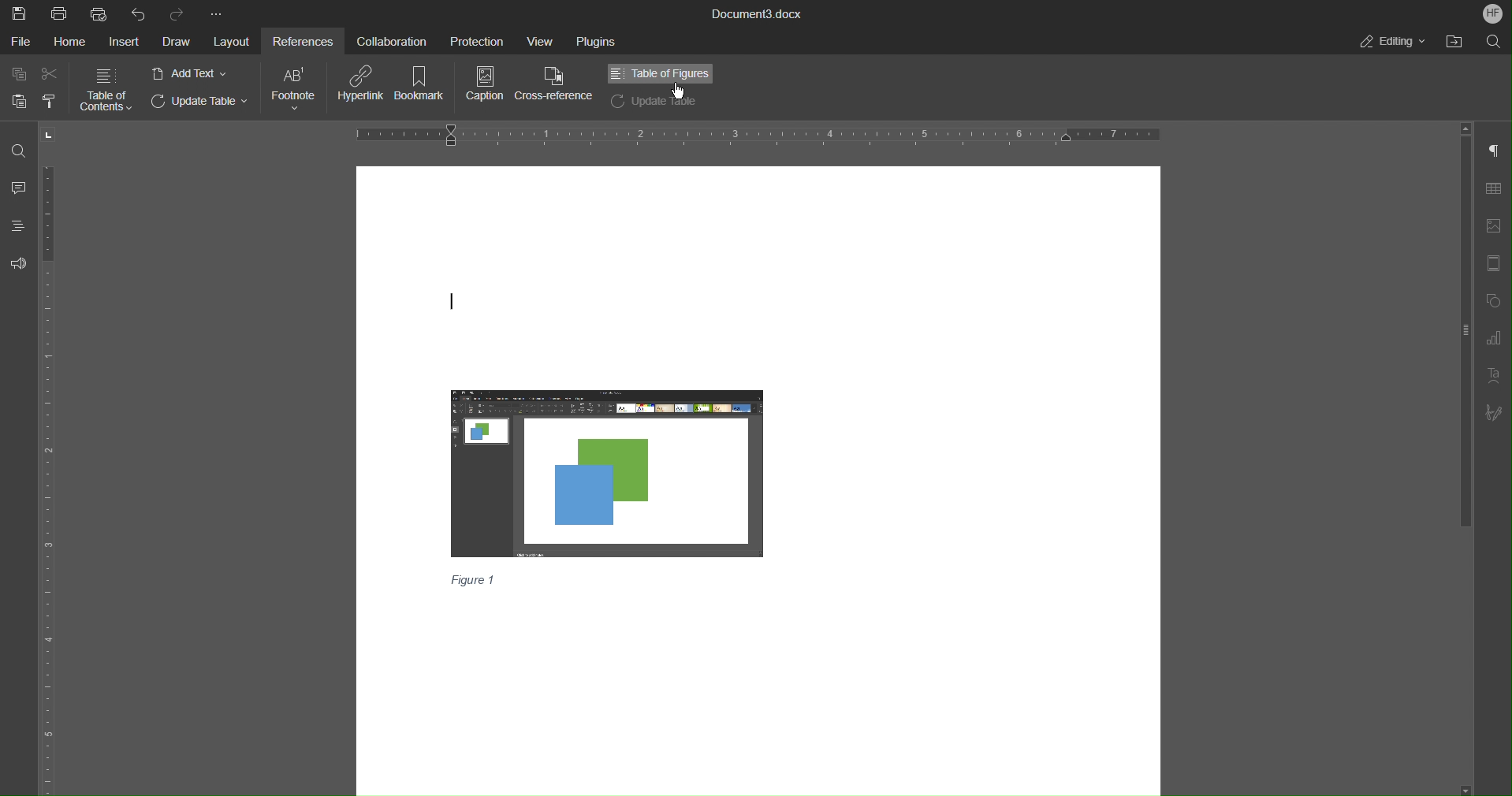  Describe the element at coordinates (1495, 377) in the screenshot. I see `Text Art` at that location.